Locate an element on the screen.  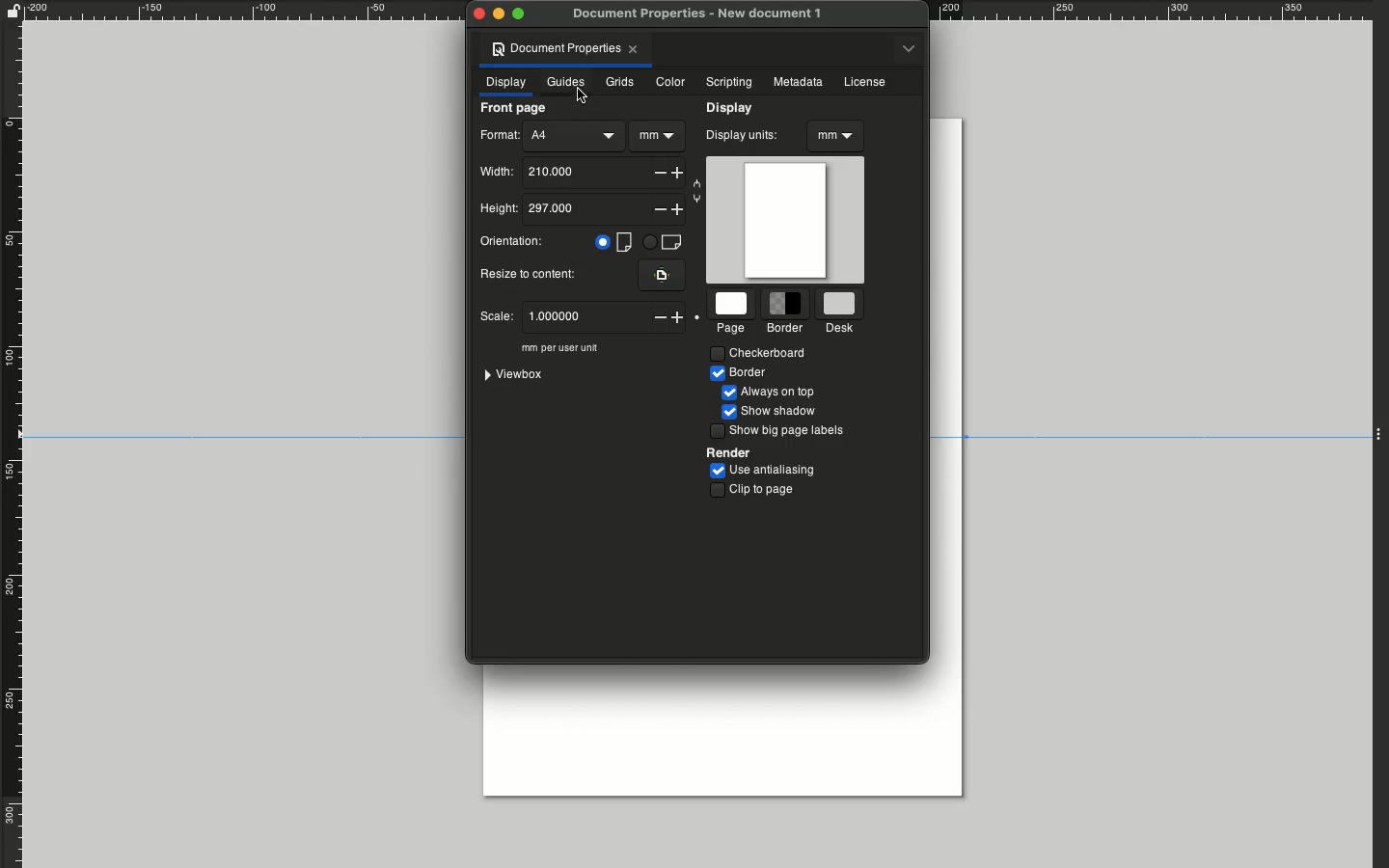
210 is located at coordinates (610, 171).